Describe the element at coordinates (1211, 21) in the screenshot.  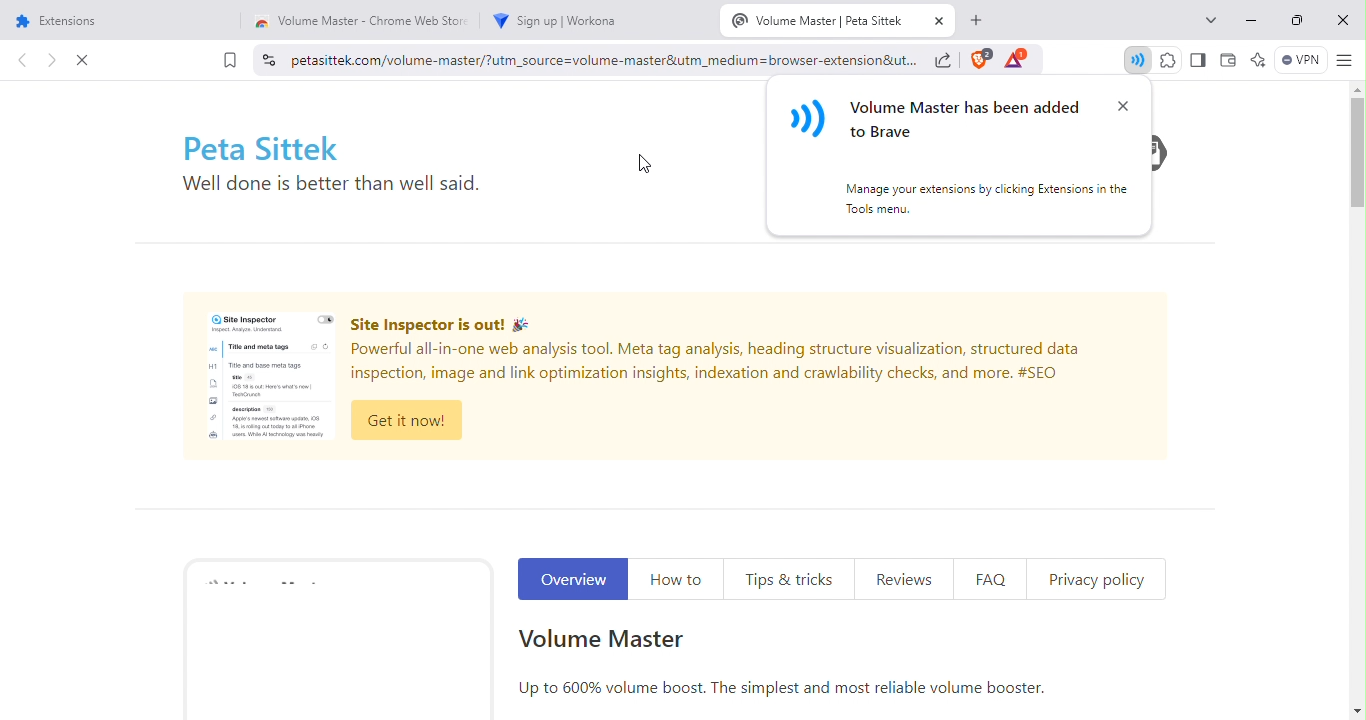
I see `search tabs ` at that location.